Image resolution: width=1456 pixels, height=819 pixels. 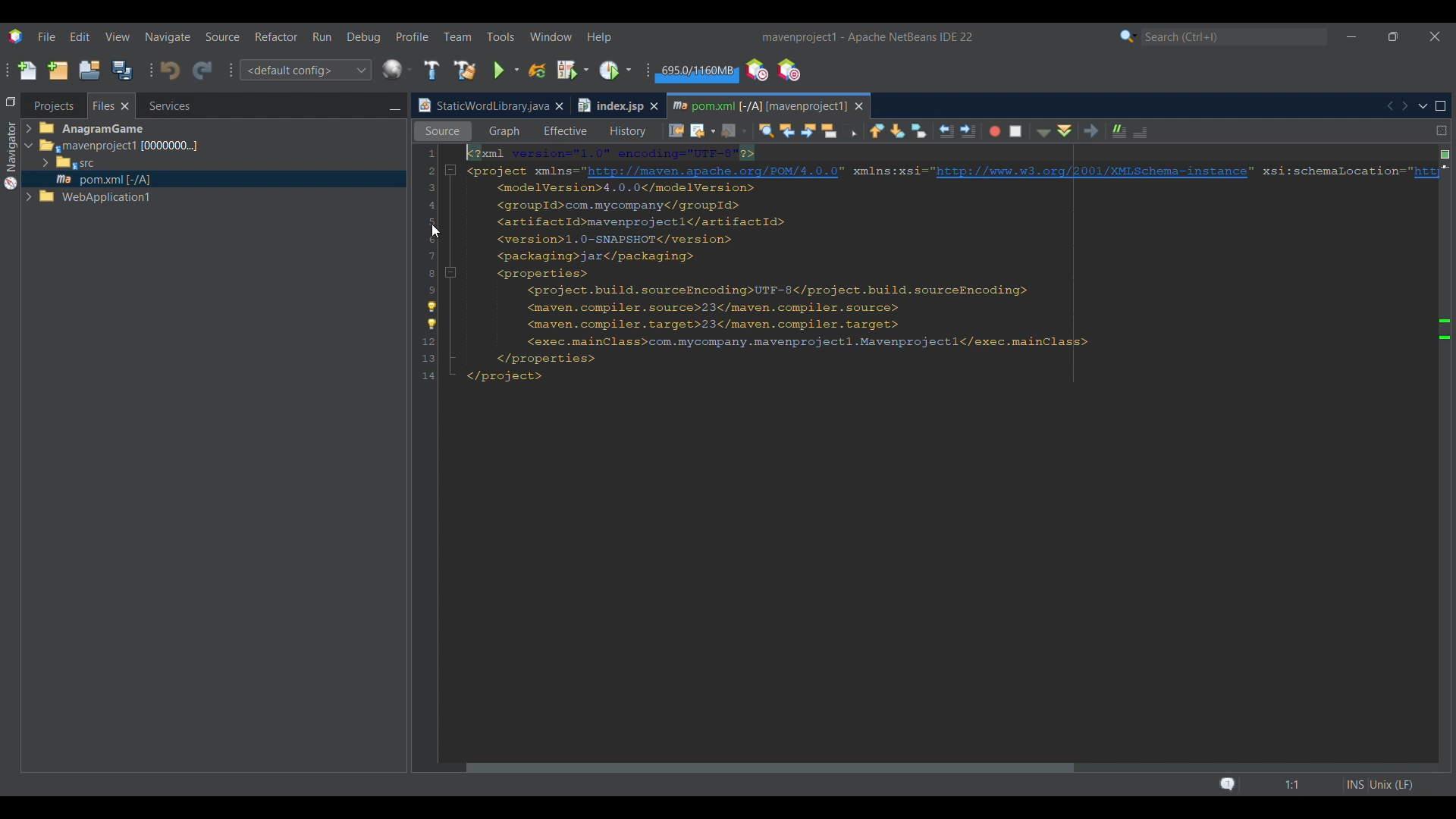 I want to click on View menu, so click(x=118, y=37).